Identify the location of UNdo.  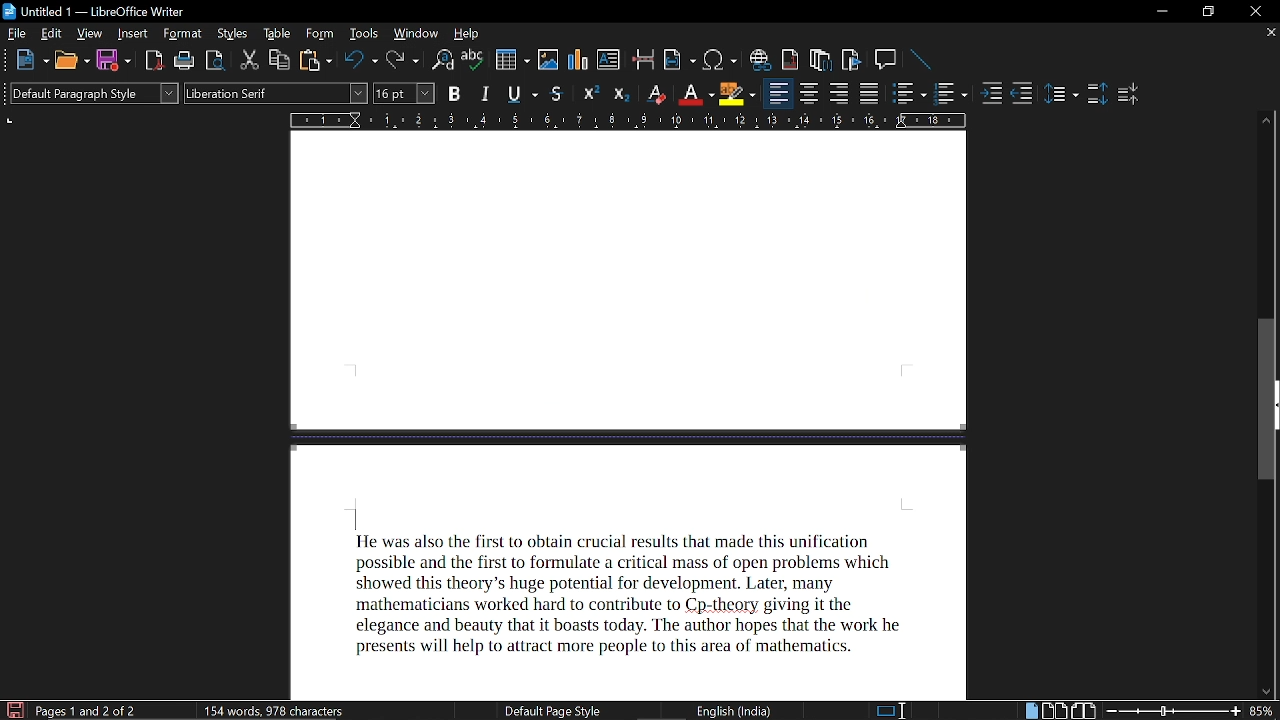
(362, 61).